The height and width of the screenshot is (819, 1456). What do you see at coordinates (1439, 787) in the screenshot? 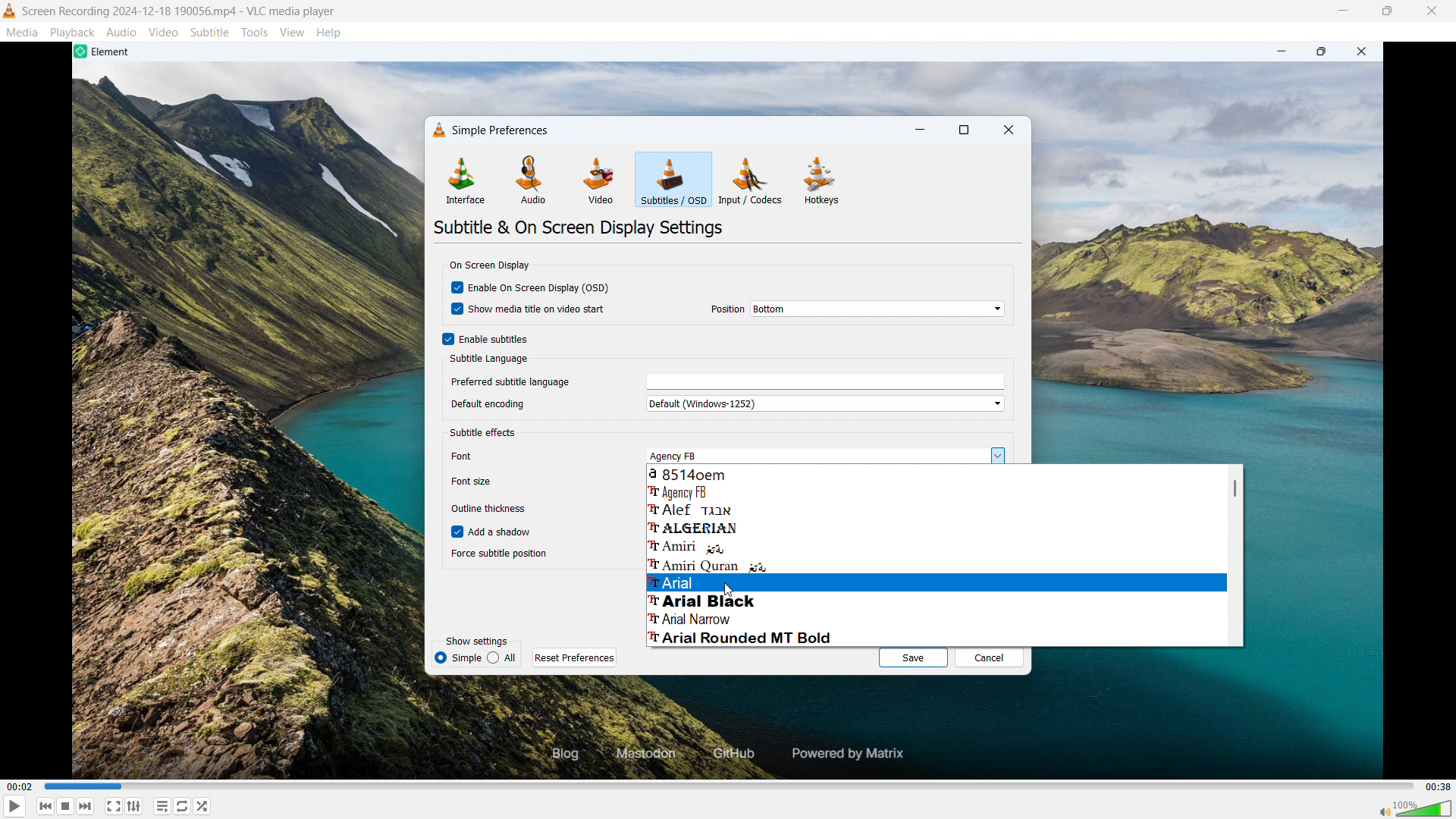
I see `video duration` at bounding box center [1439, 787].